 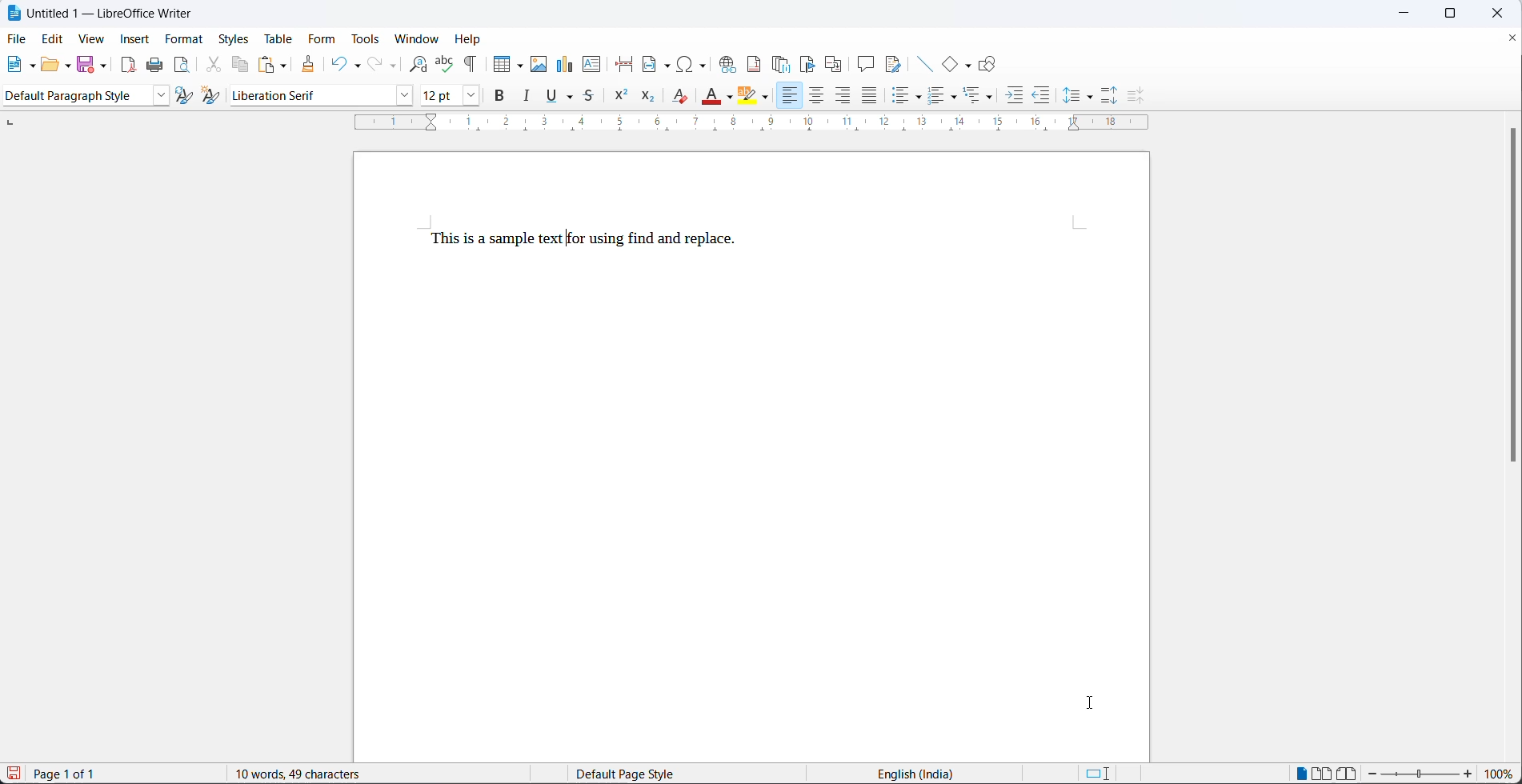 I want to click on maximize, so click(x=1462, y=15).